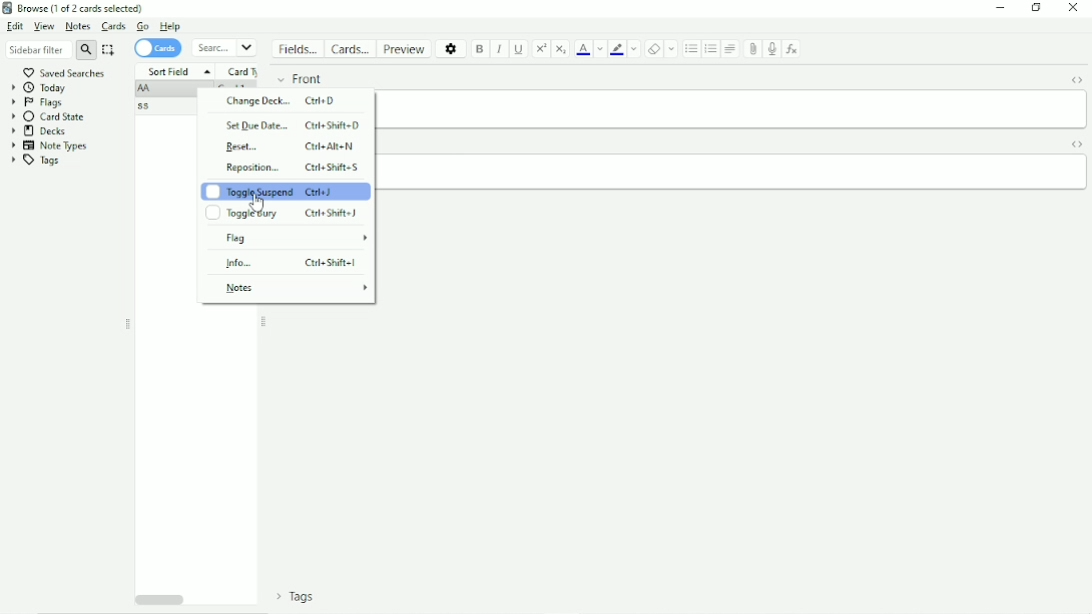 Image resolution: width=1092 pixels, height=614 pixels. What do you see at coordinates (292, 125) in the screenshot?
I see `Set Due Date Ctrl + Shift + D` at bounding box center [292, 125].